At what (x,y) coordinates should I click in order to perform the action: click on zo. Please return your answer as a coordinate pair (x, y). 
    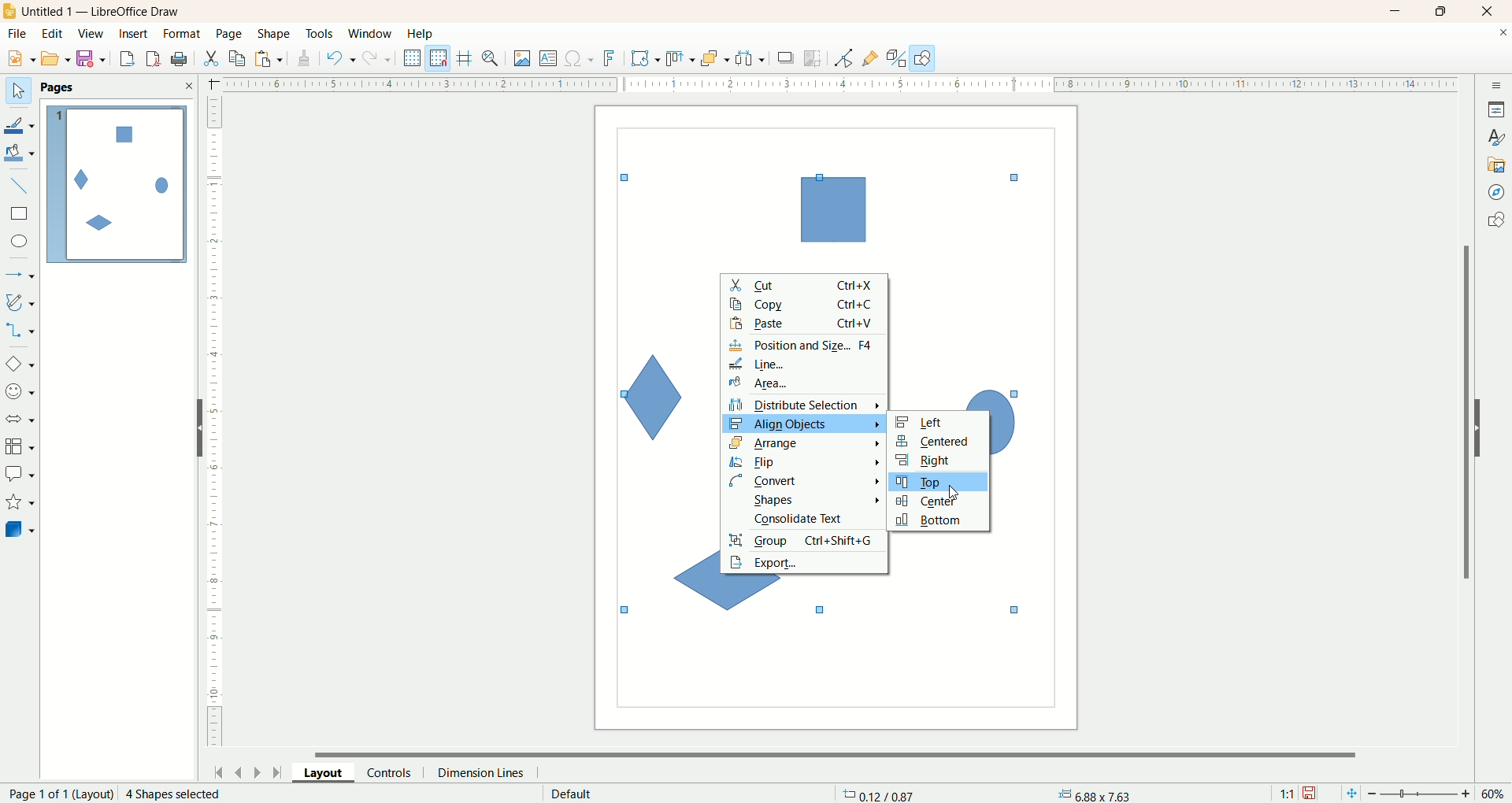
    Looking at the image, I should click on (493, 58).